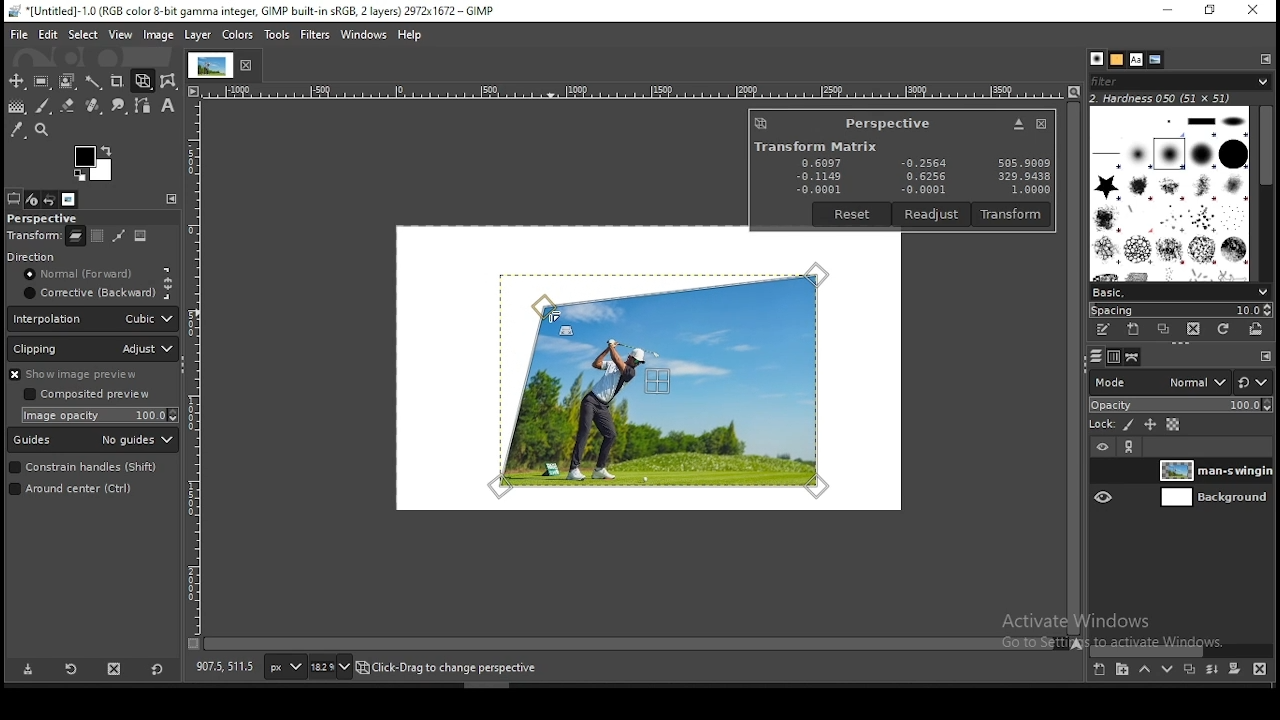 This screenshot has height=720, width=1280. I want to click on constraint handles (shift), so click(84, 468).